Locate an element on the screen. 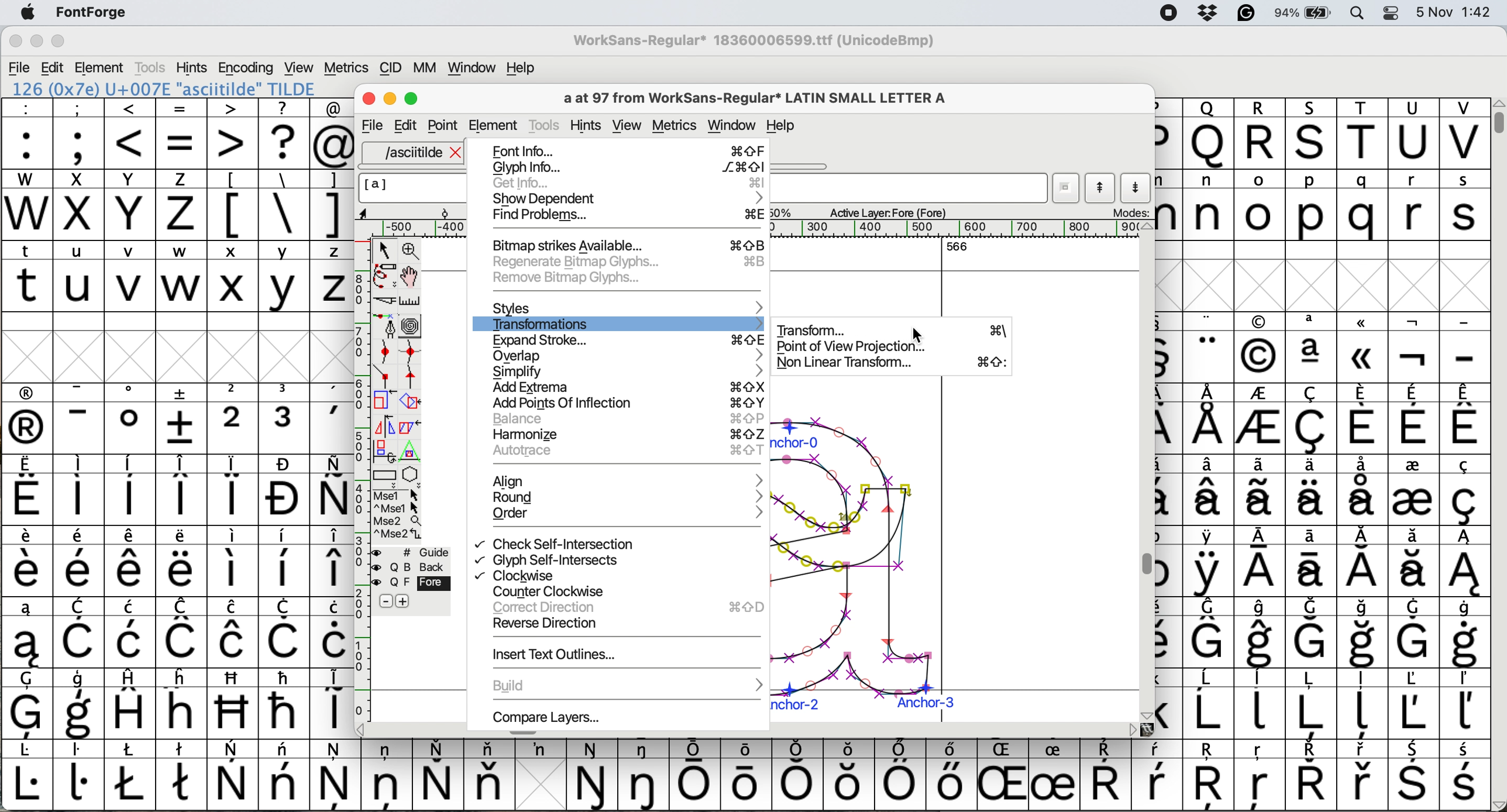 This screenshot has width=1507, height=812. control center is located at coordinates (1395, 12).